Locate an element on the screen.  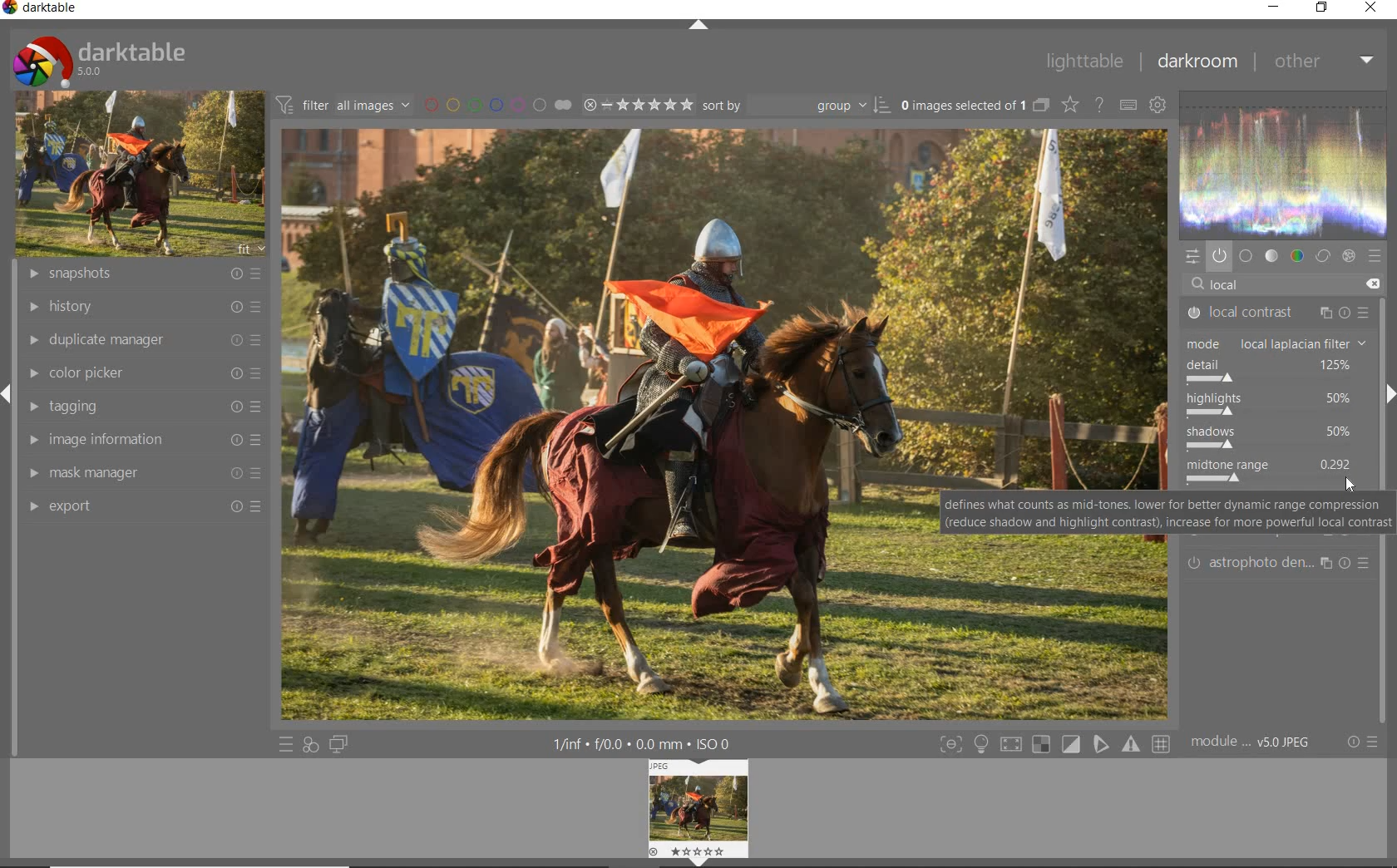
darkroom is located at coordinates (1196, 64).